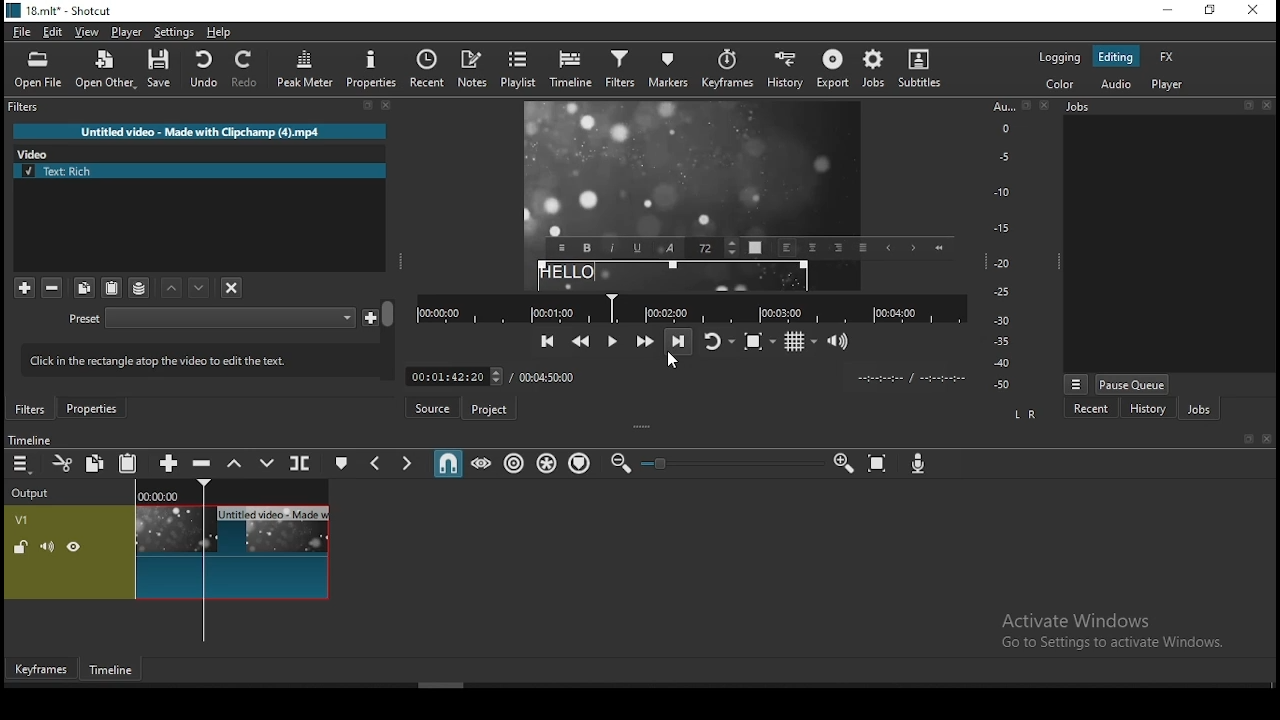  I want to click on Clip Time, so click(910, 379).